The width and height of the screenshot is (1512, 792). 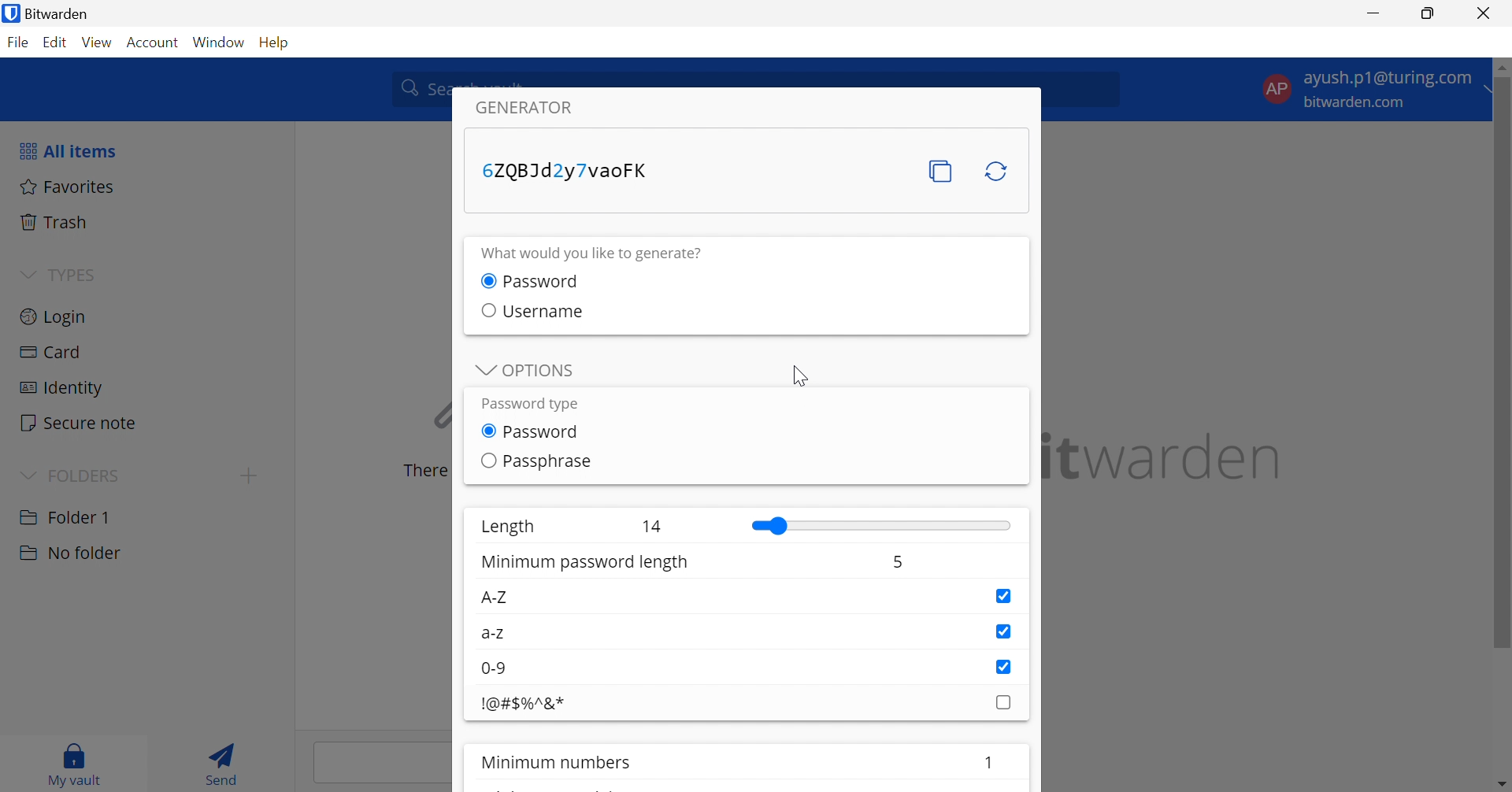 What do you see at coordinates (50, 13) in the screenshot?
I see `Bitwarden` at bounding box center [50, 13].